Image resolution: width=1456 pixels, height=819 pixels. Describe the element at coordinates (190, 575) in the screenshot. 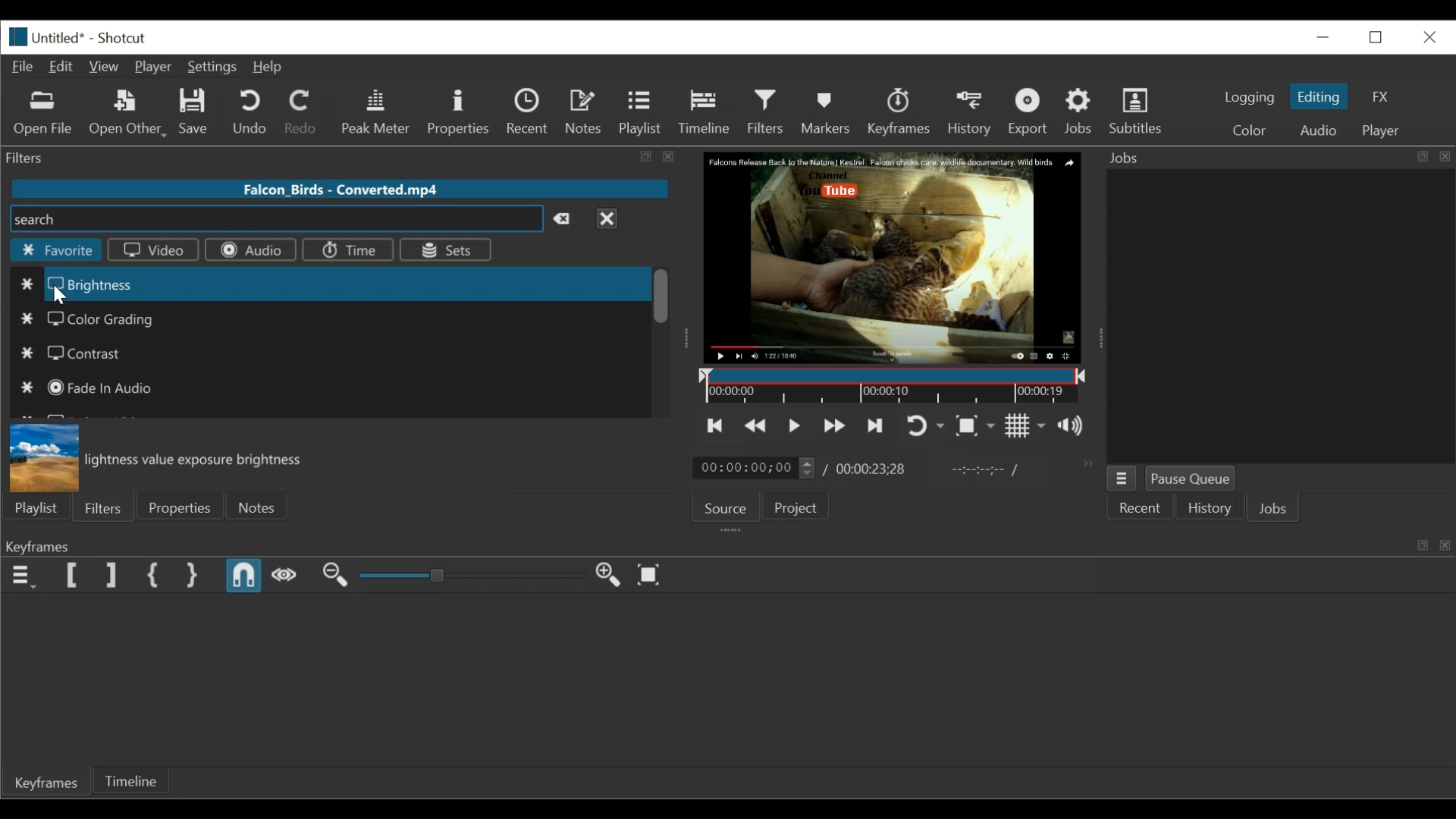

I see `Set Second Simple Keyframe` at that location.